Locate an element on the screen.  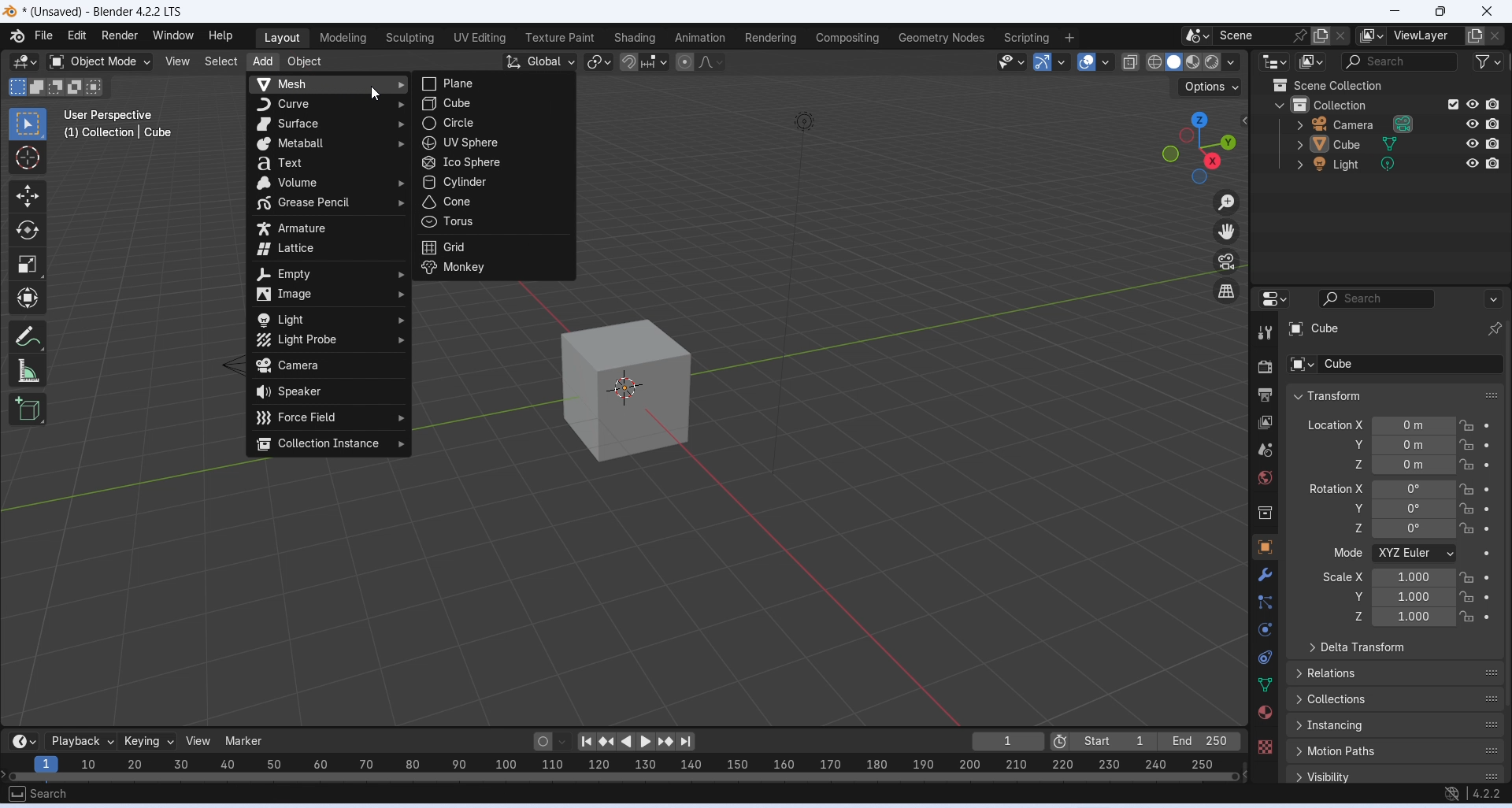
solid viewport shading is located at coordinates (1173, 62).